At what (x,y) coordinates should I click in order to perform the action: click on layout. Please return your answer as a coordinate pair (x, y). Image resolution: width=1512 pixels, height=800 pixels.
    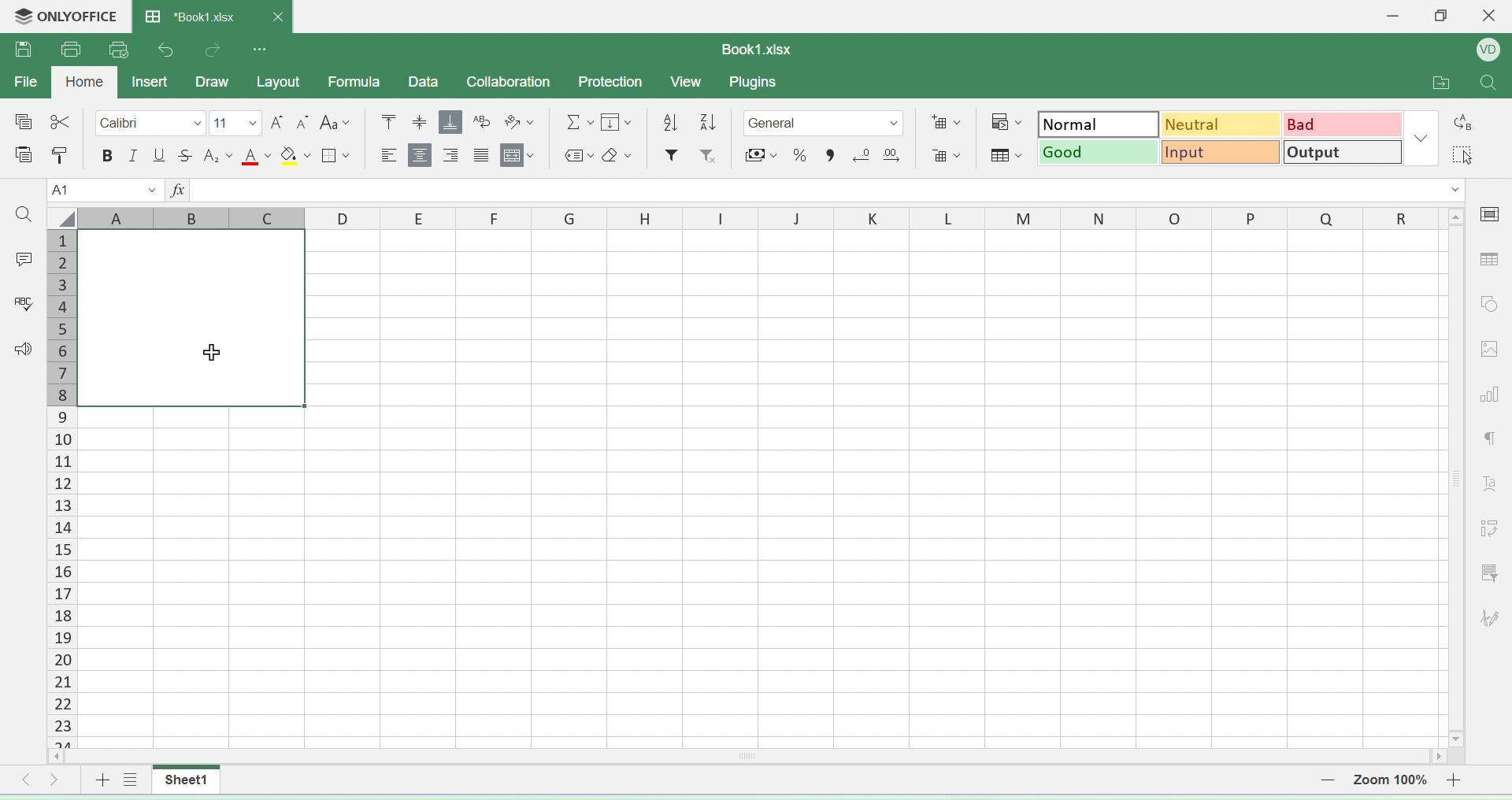
    Looking at the image, I should click on (277, 81).